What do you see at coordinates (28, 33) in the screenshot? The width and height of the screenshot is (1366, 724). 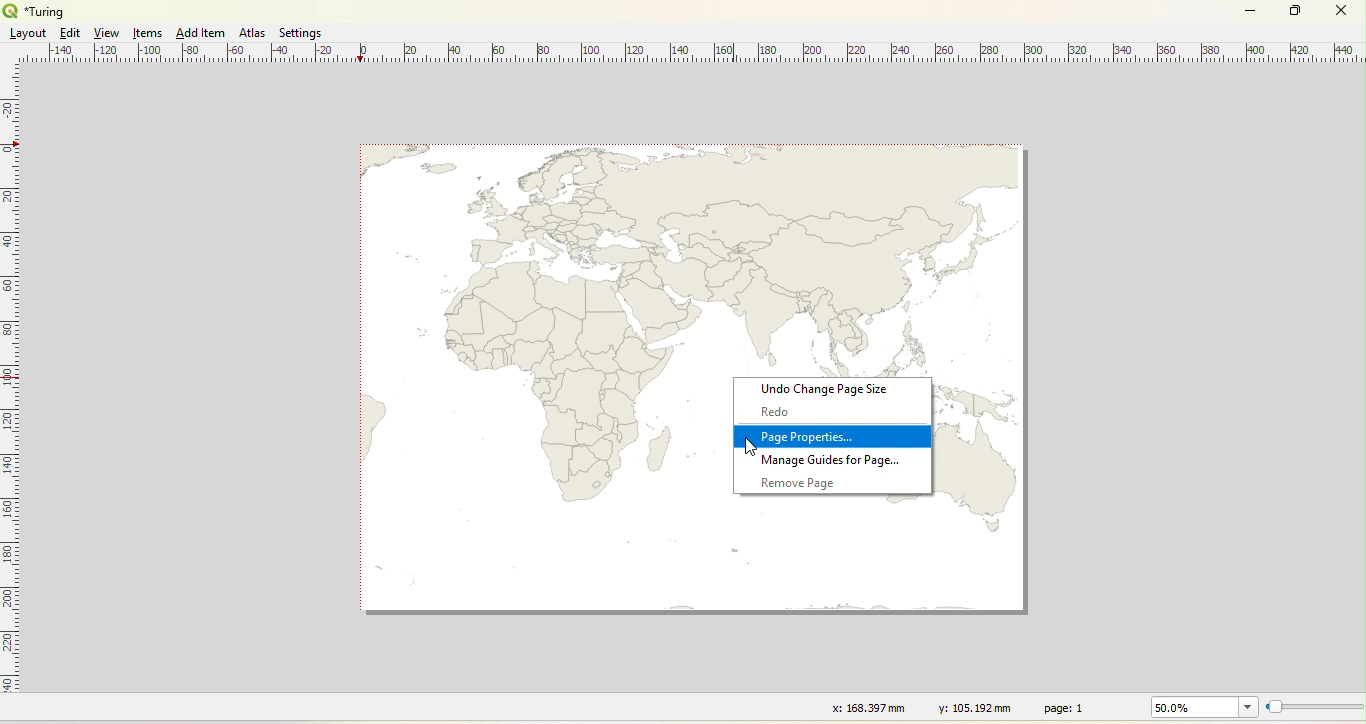 I see `Layout` at bounding box center [28, 33].